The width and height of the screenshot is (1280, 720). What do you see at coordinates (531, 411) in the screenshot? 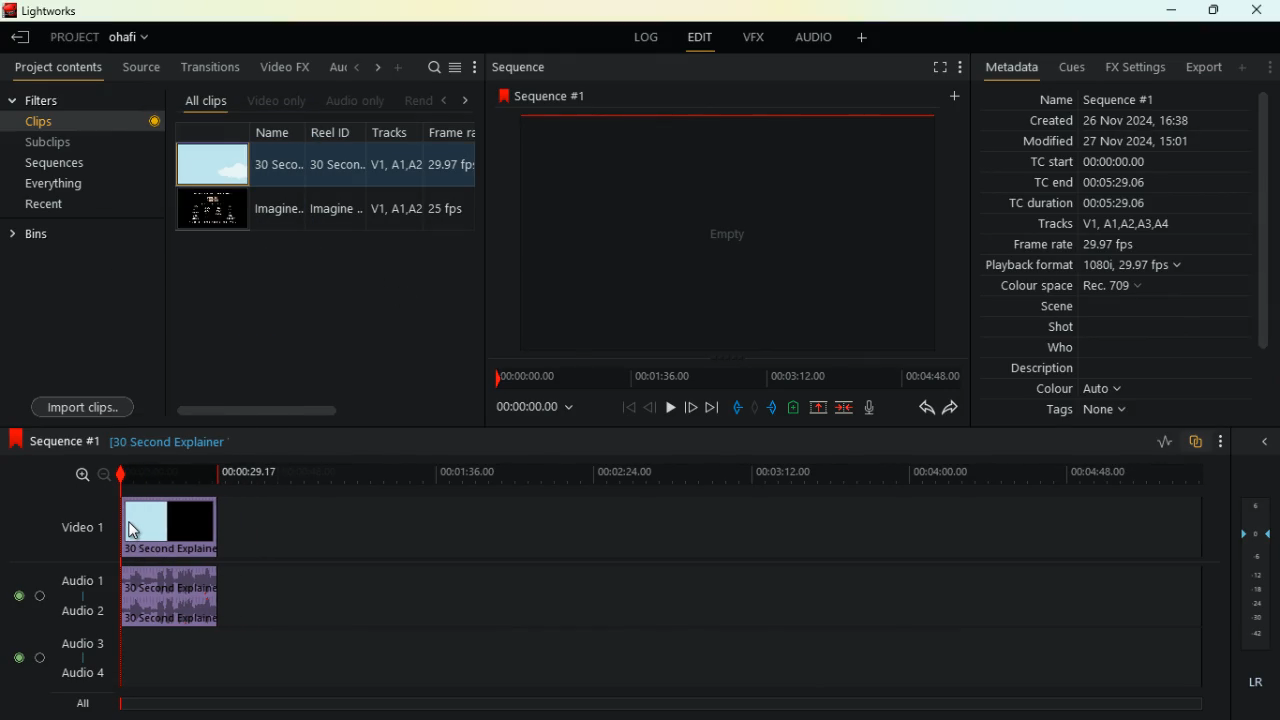
I see `time` at bounding box center [531, 411].